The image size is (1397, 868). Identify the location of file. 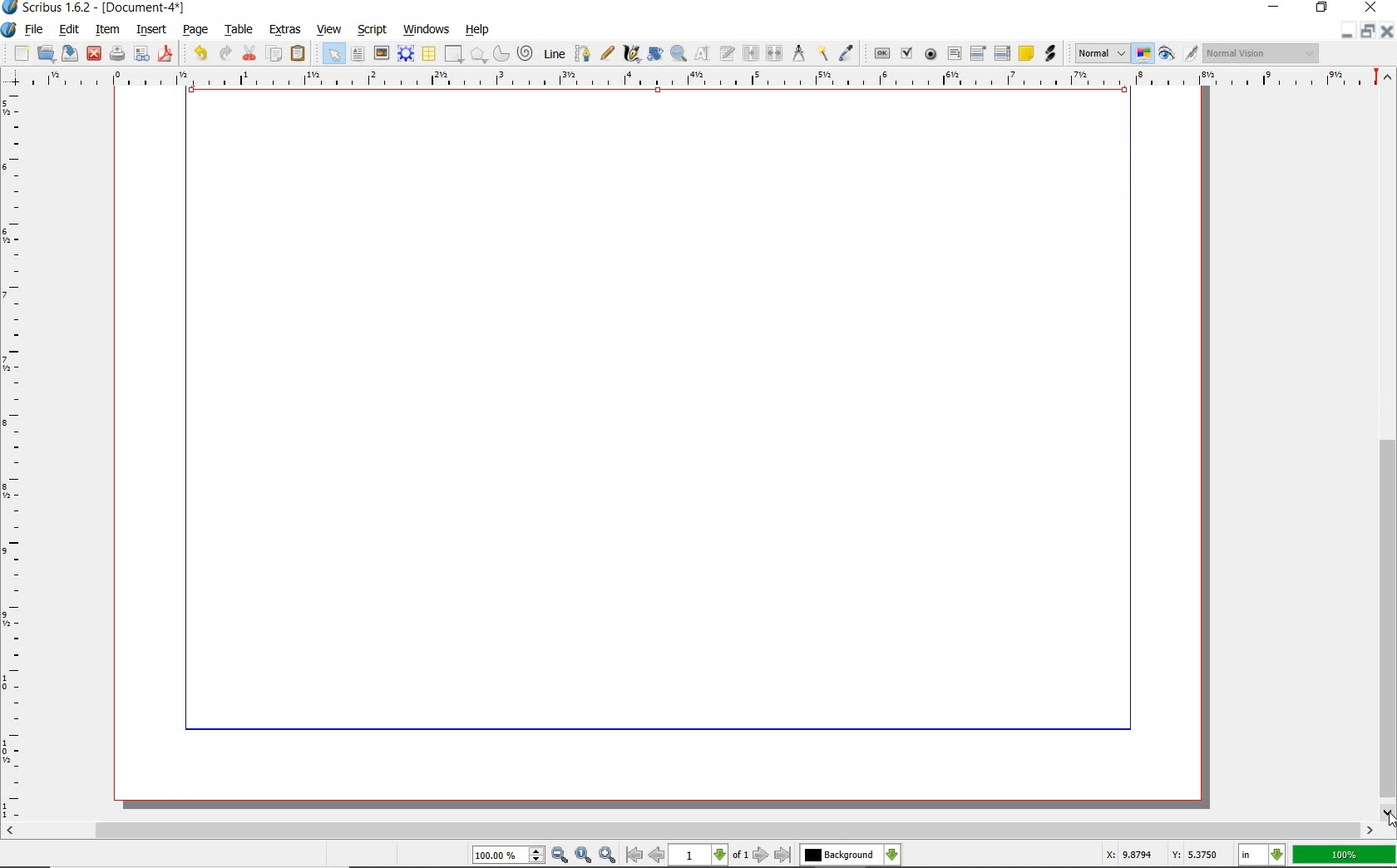
(36, 31).